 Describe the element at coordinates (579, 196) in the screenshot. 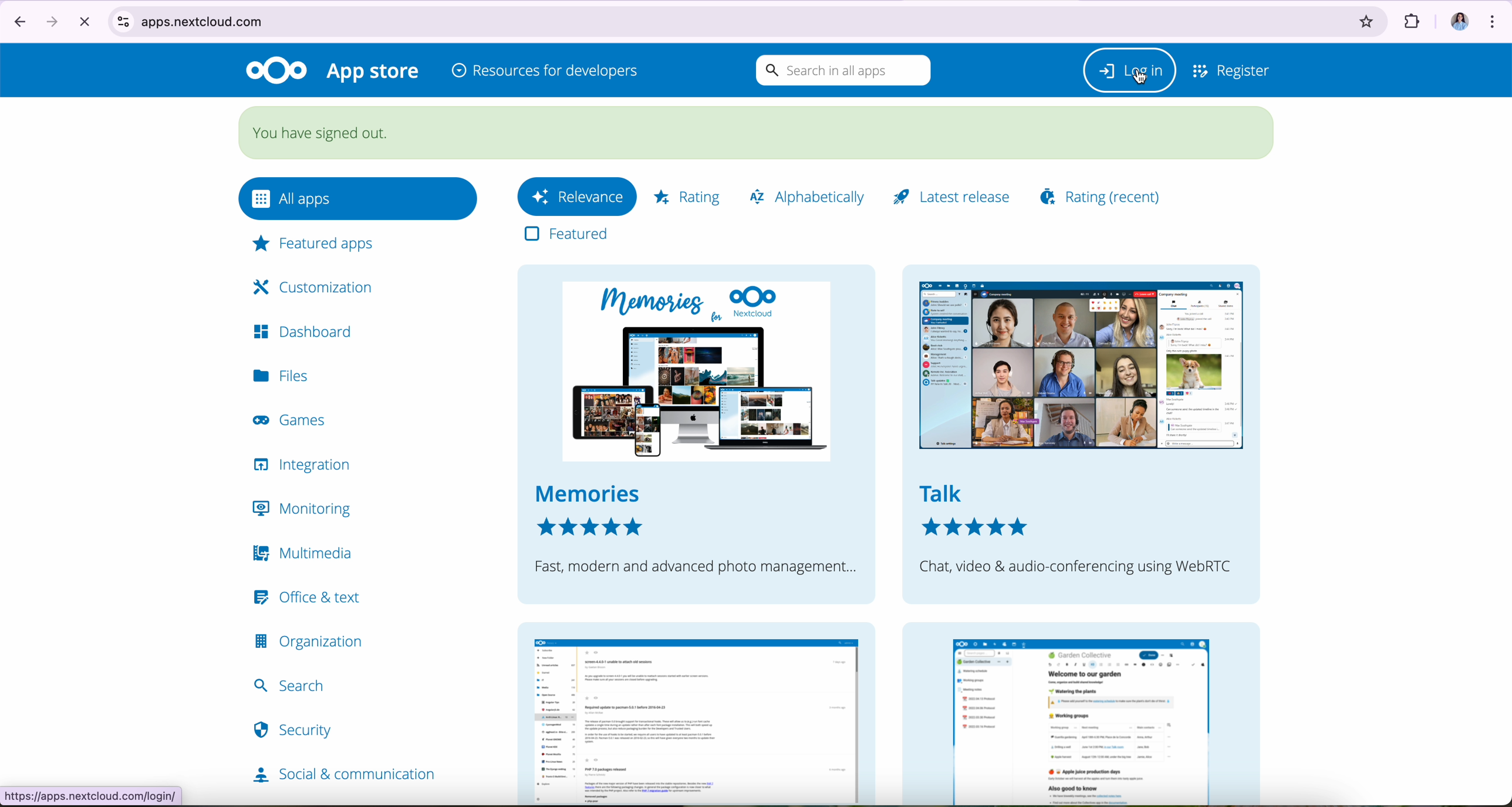

I see `relevance button` at that location.